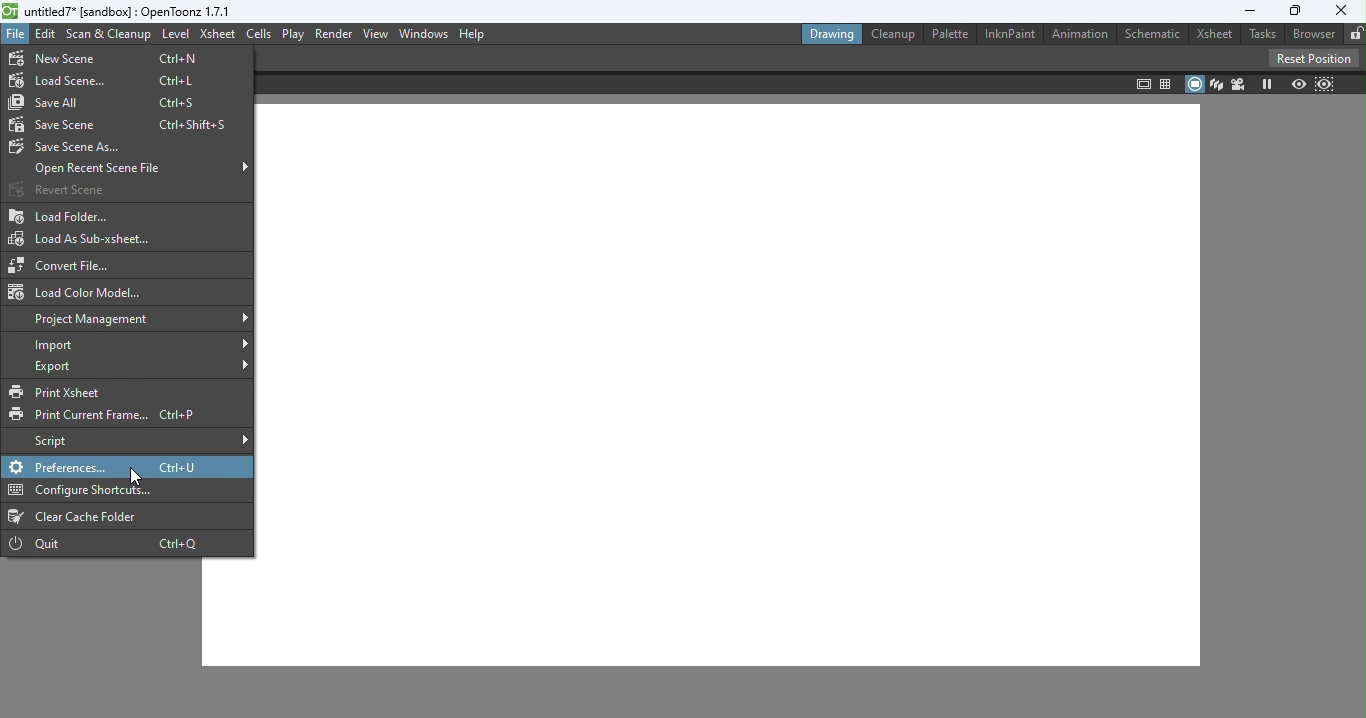 This screenshot has height=718, width=1366. I want to click on Render, so click(334, 34).